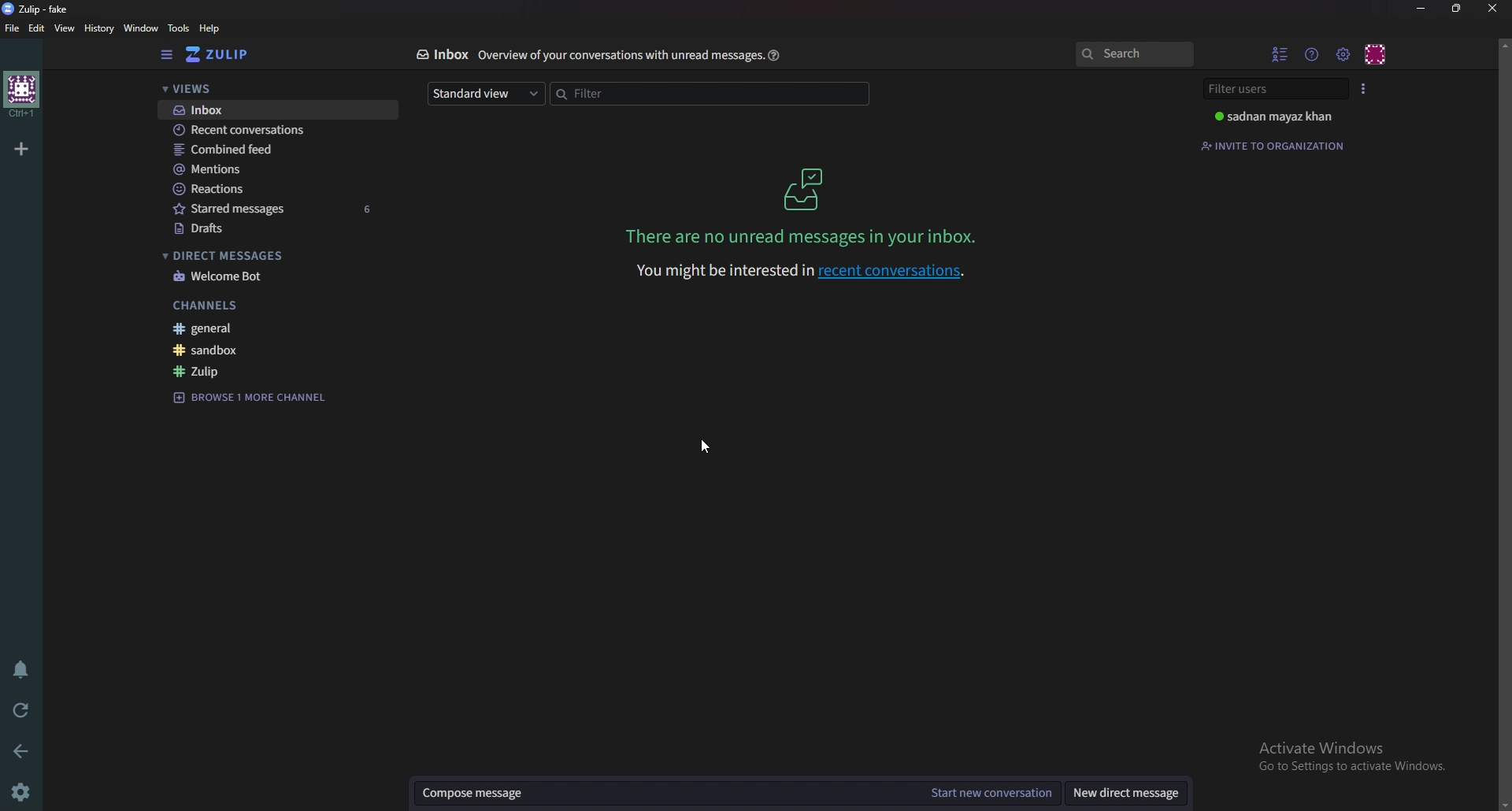 This screenshot has width=1512, height=811. What do you see at coordinates (1504, 424) in the screenshot?
I see `Scroll bar` at bounding box center [1504, 424].